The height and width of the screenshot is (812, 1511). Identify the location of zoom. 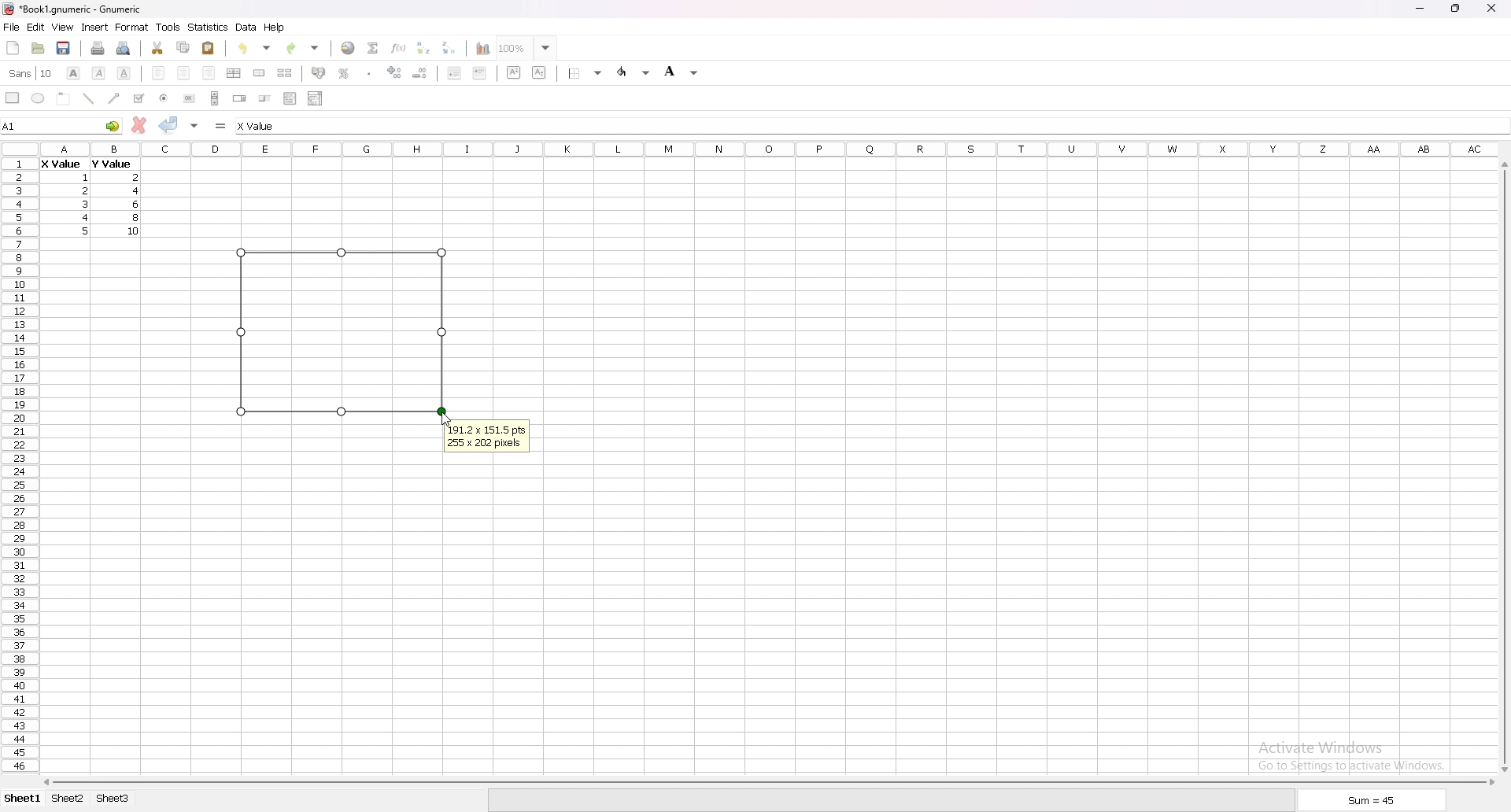
(526, 47).